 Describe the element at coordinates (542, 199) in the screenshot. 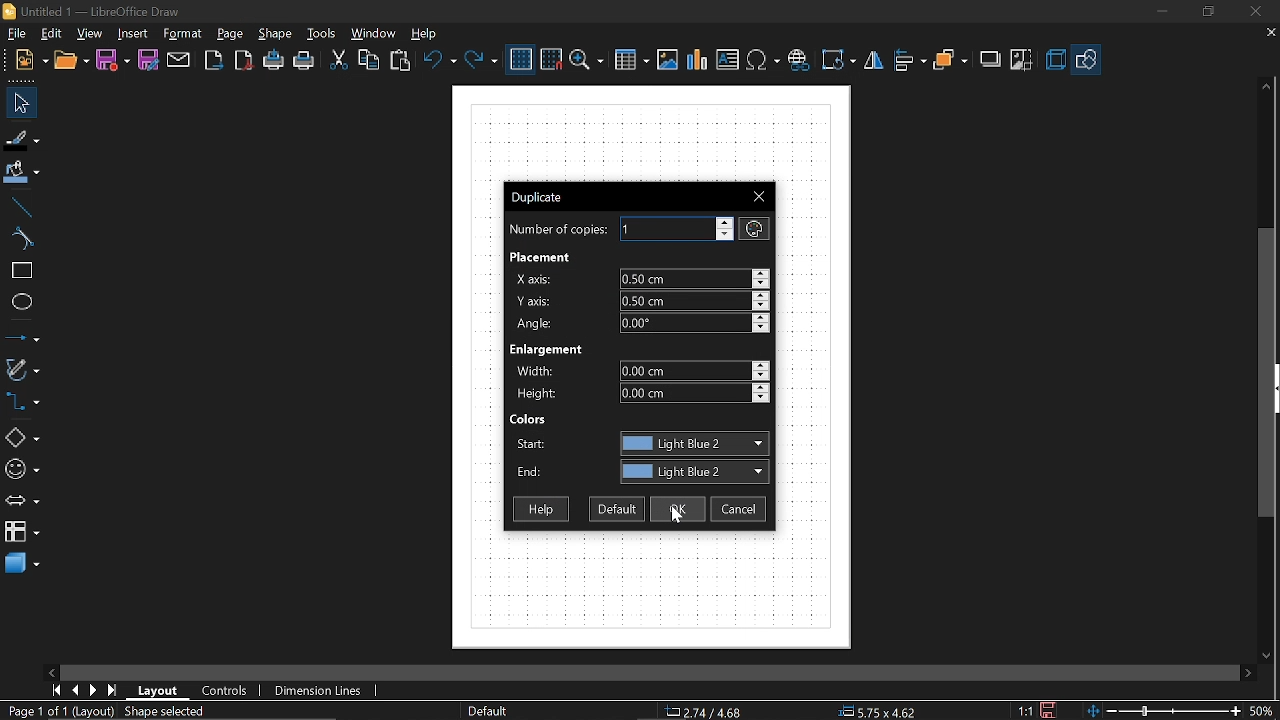

I see `Current window` at that location.